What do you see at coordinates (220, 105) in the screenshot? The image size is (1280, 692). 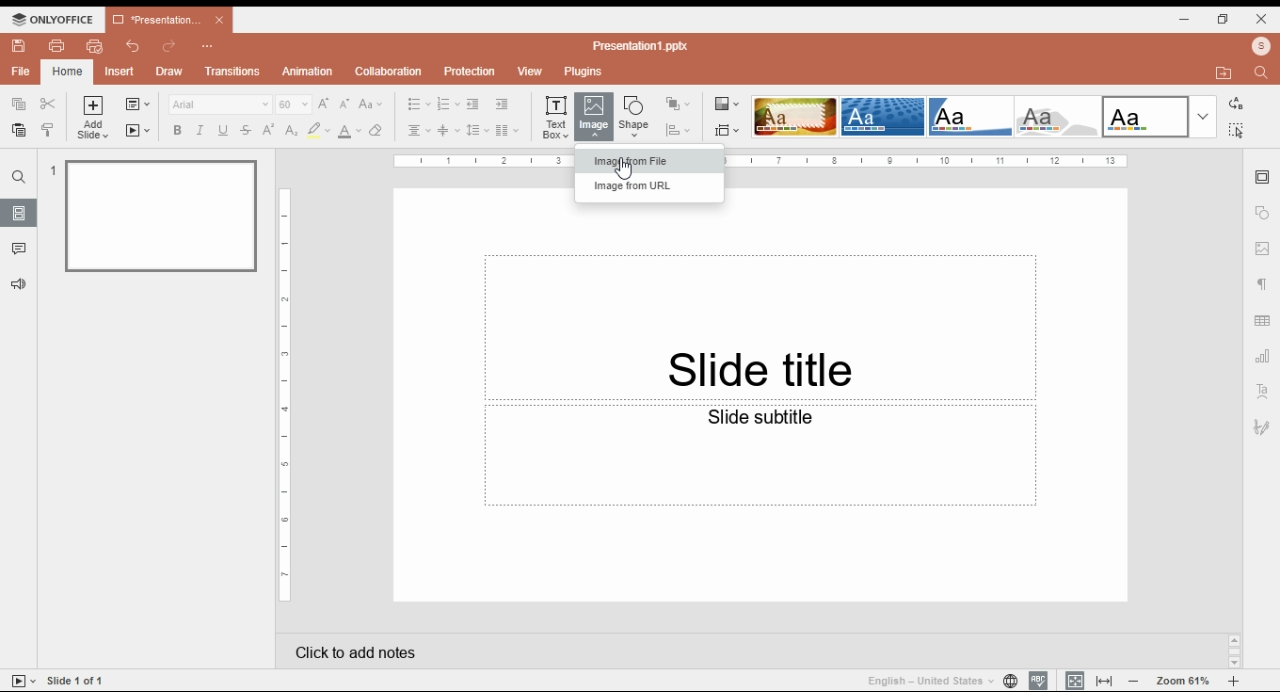 I see `font` at bounding box center [220, 105].